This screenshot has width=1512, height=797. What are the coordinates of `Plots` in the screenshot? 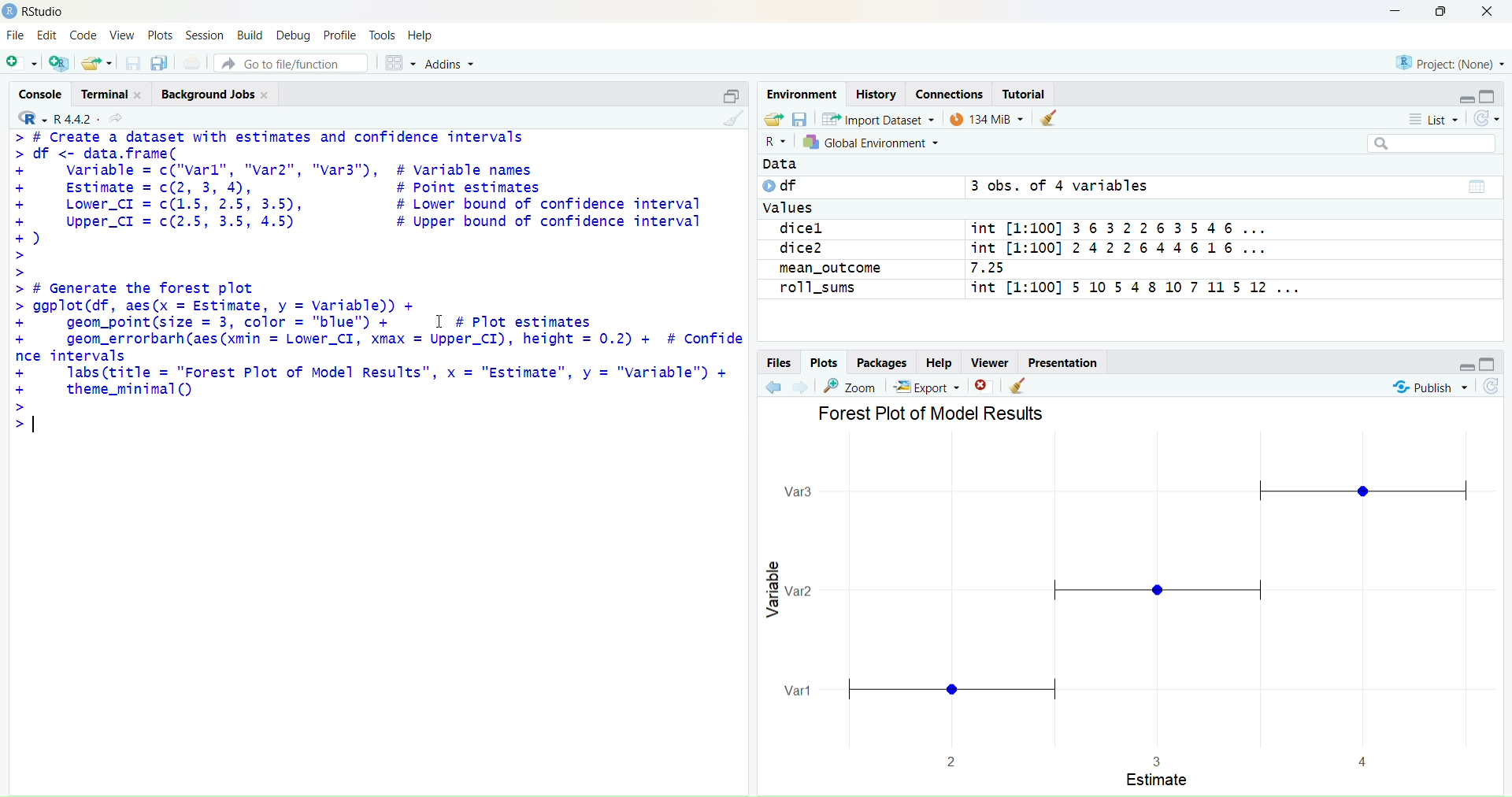 It's located at (161, 35).